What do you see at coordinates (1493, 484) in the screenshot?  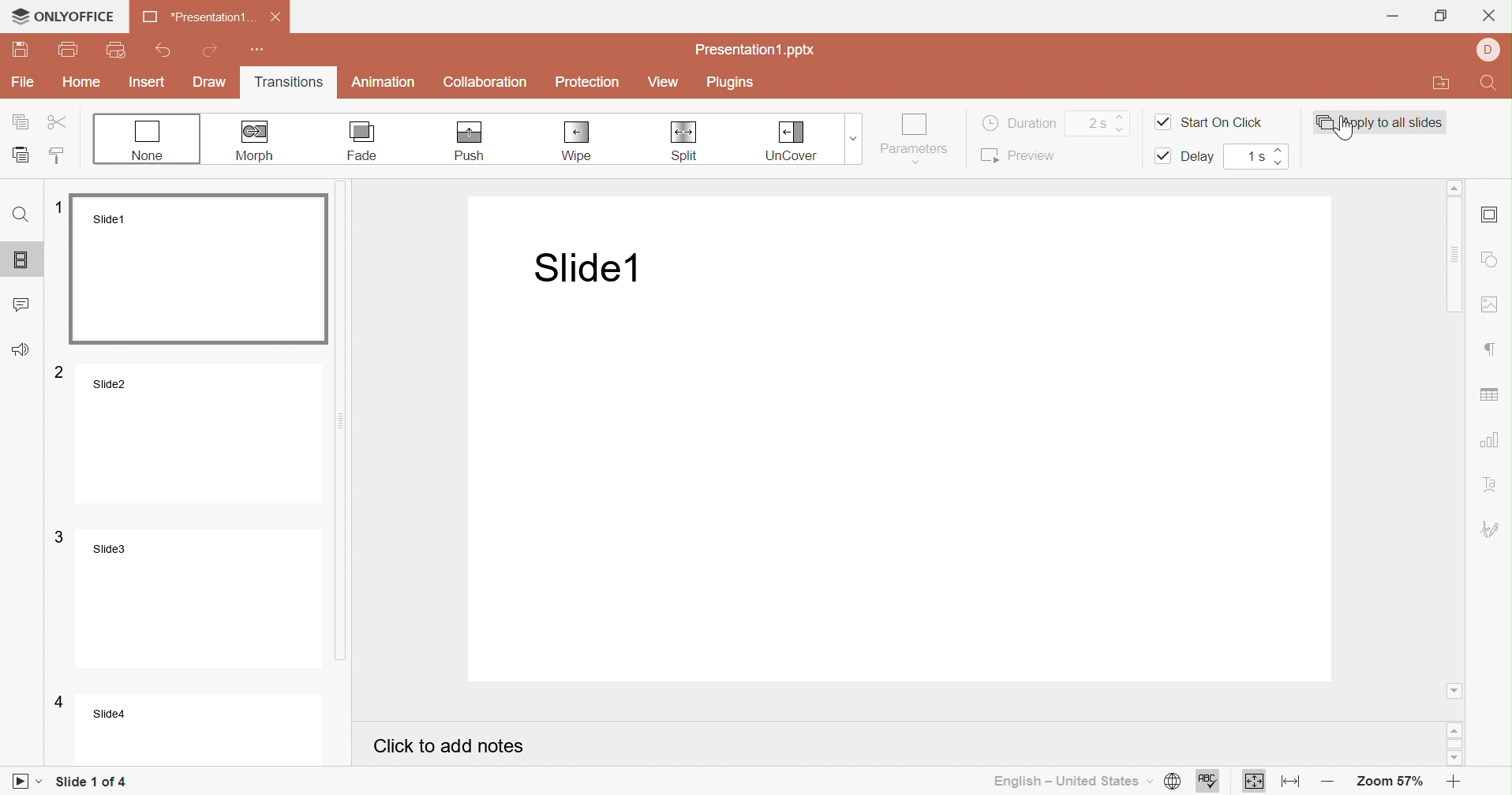 I see `Text art settings` at bounding box center [1493, 484].